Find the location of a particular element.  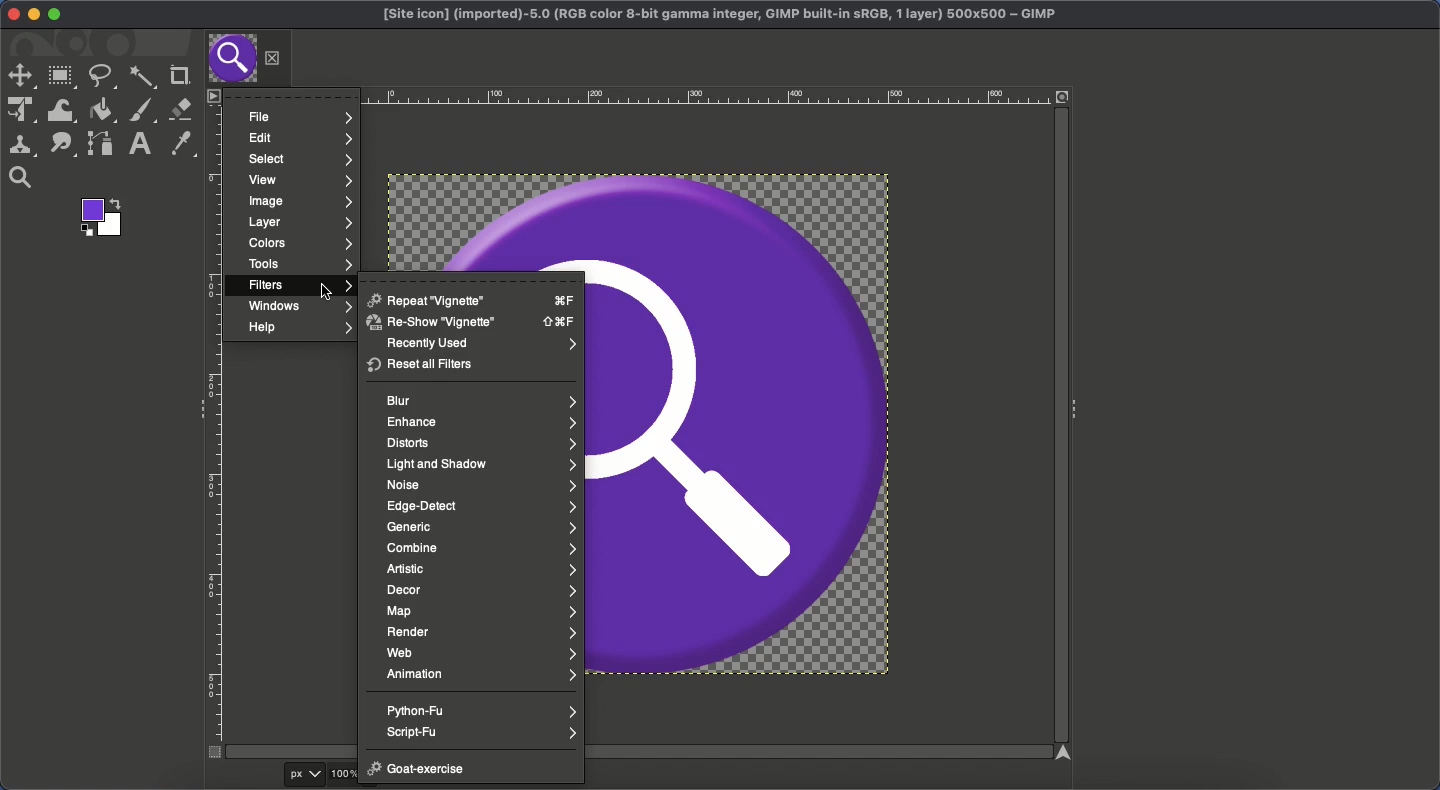

Filters is located at coordinates (297, 285).